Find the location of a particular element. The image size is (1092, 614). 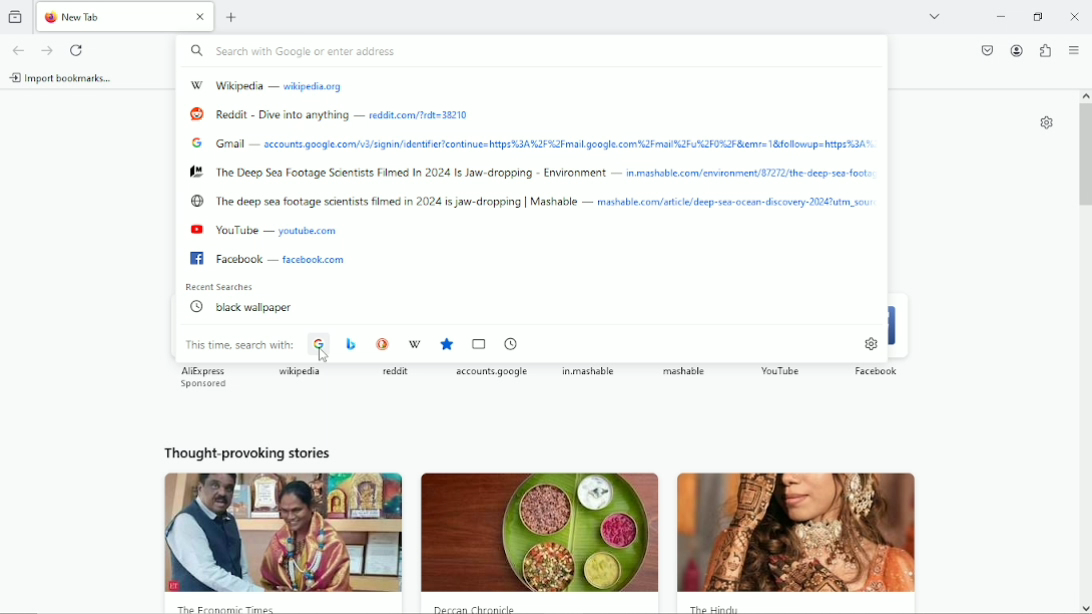

wikipedia logo is located at coordinates (195, 83).